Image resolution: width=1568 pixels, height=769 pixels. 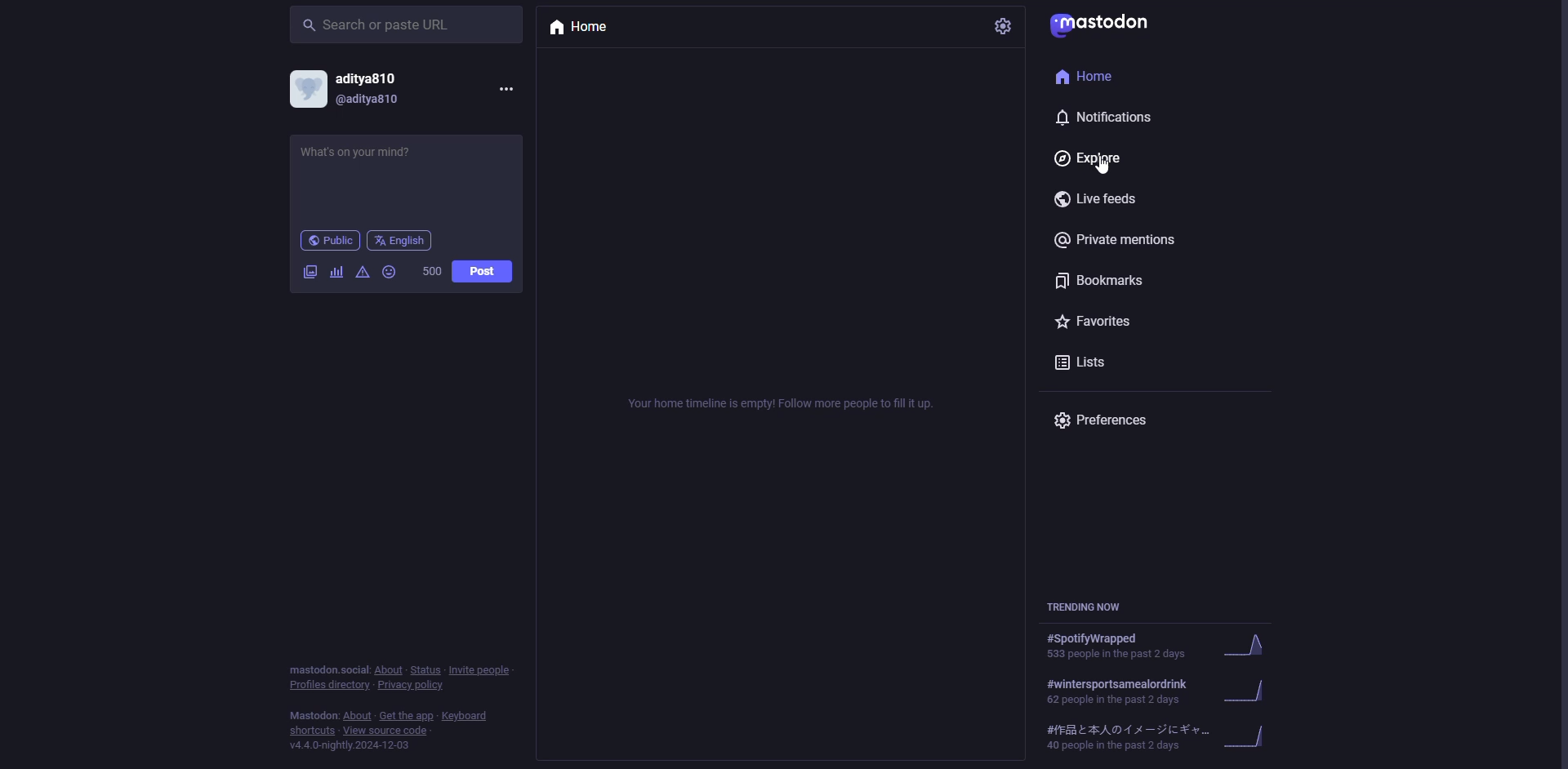 I want to click on home, so click(x=583, y=28).